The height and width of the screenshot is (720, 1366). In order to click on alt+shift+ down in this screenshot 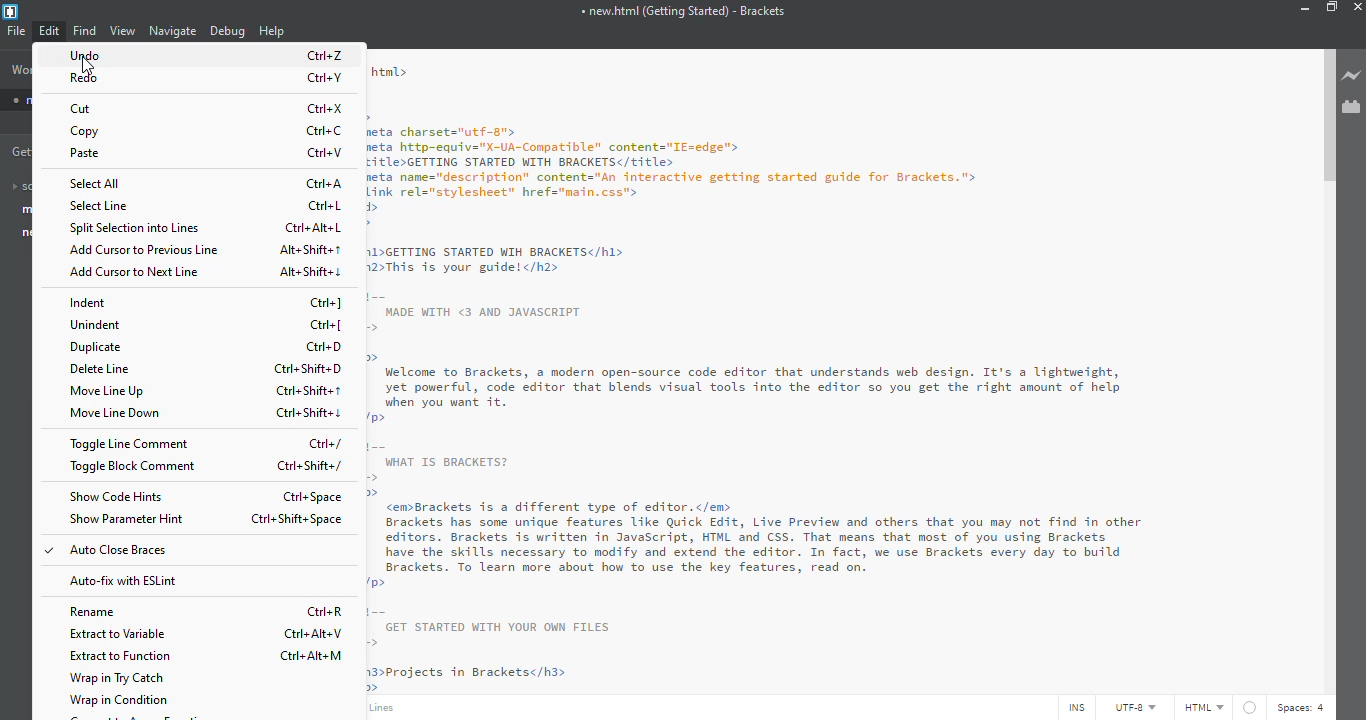, I will do `click(310, 272)`.